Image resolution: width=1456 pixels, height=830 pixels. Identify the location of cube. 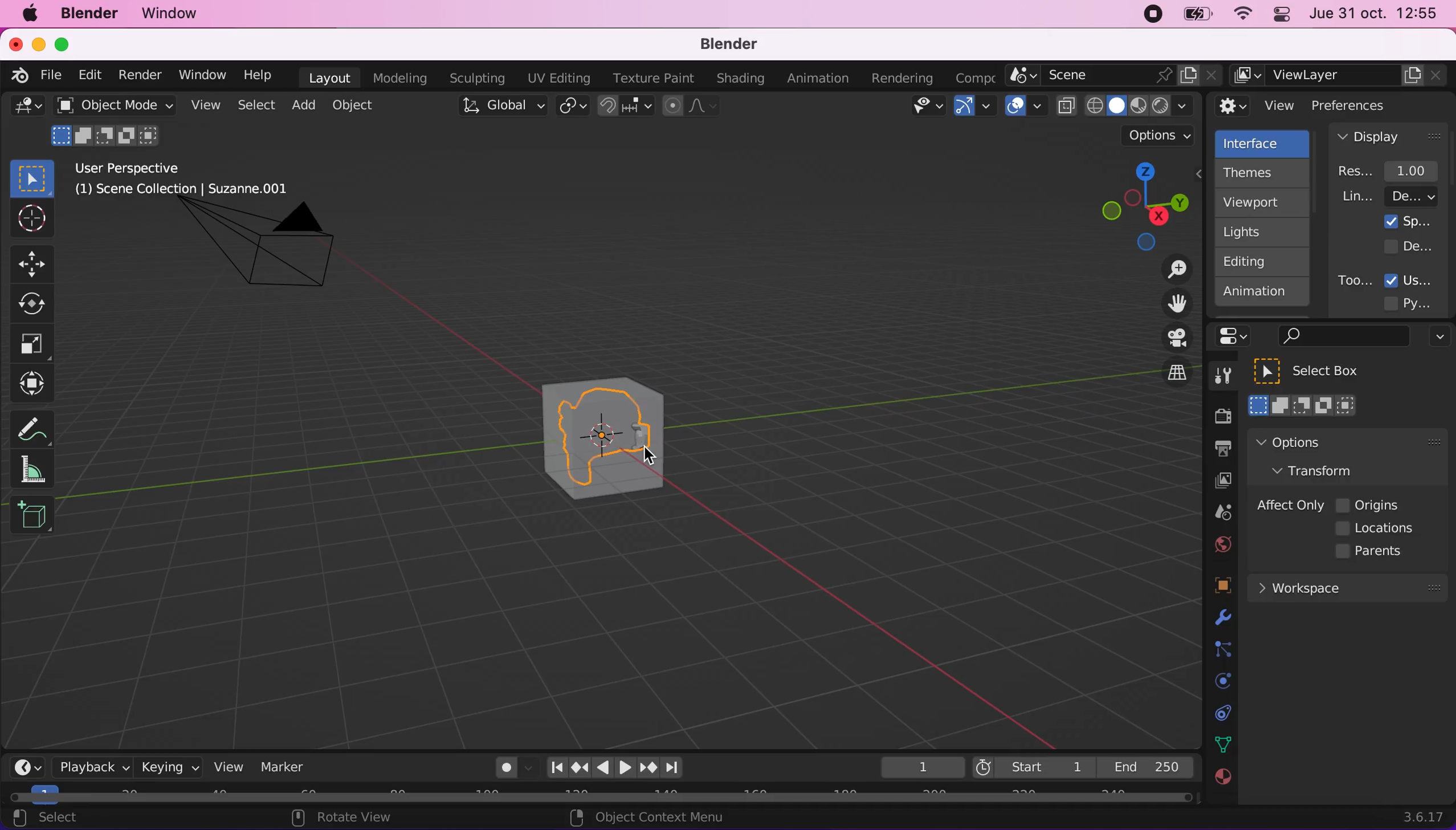
(629, 440).